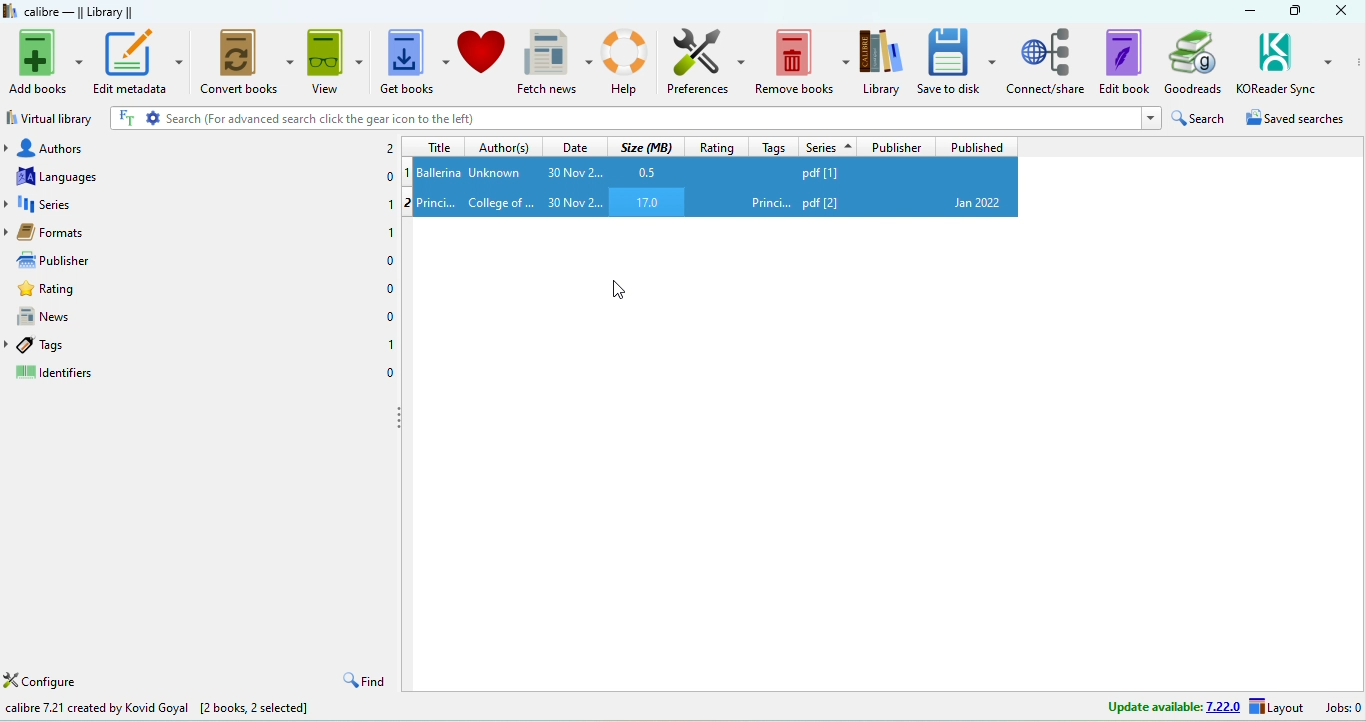 This screenshot has height=722, width=1366. What do you see at coordinates (804, 61) in the screenshot?
I see `Remove books` at bounding box center [804, 61].